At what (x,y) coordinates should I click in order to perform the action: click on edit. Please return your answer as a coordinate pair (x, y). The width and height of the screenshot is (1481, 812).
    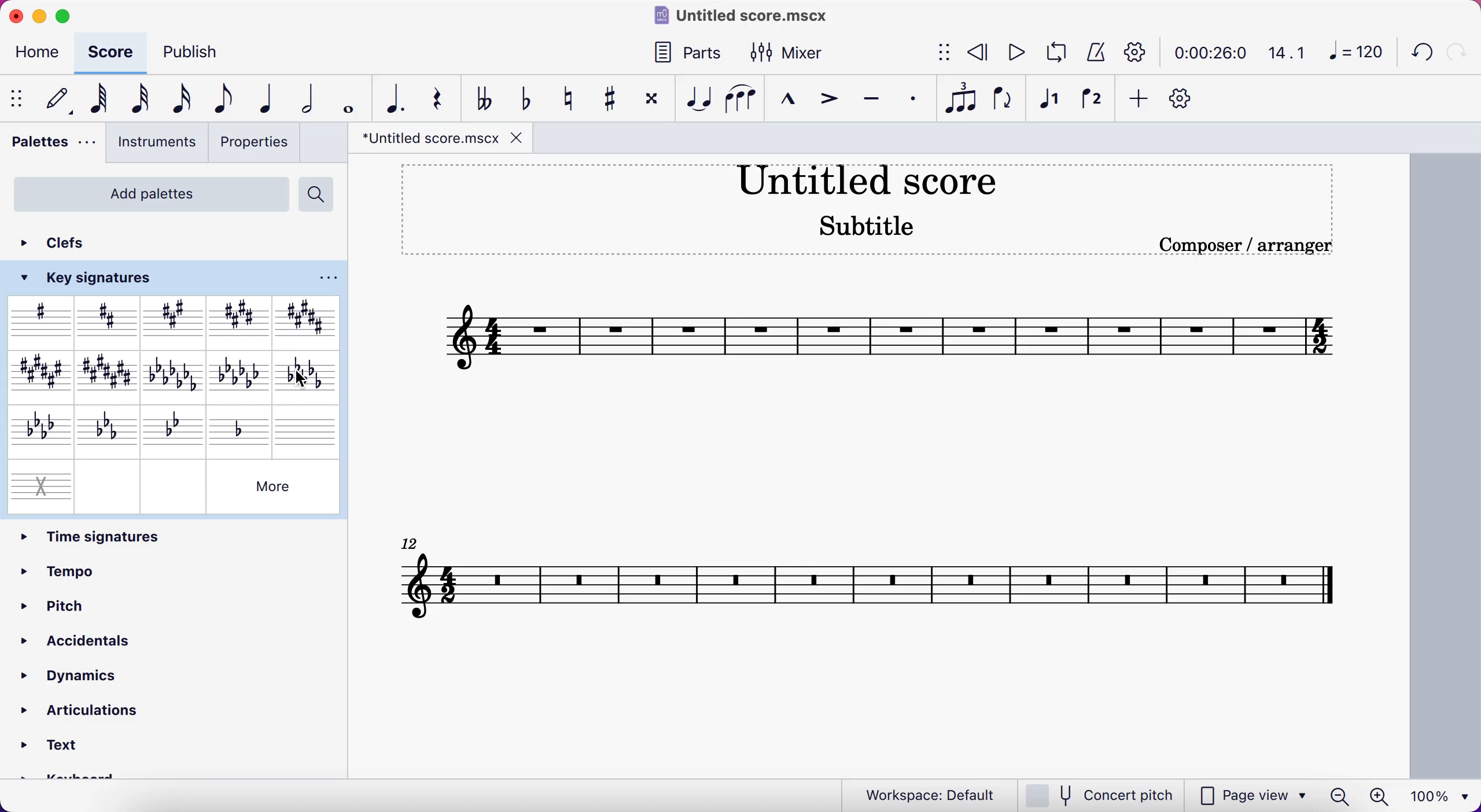
    Looking at the image, I should click on (62, 99).